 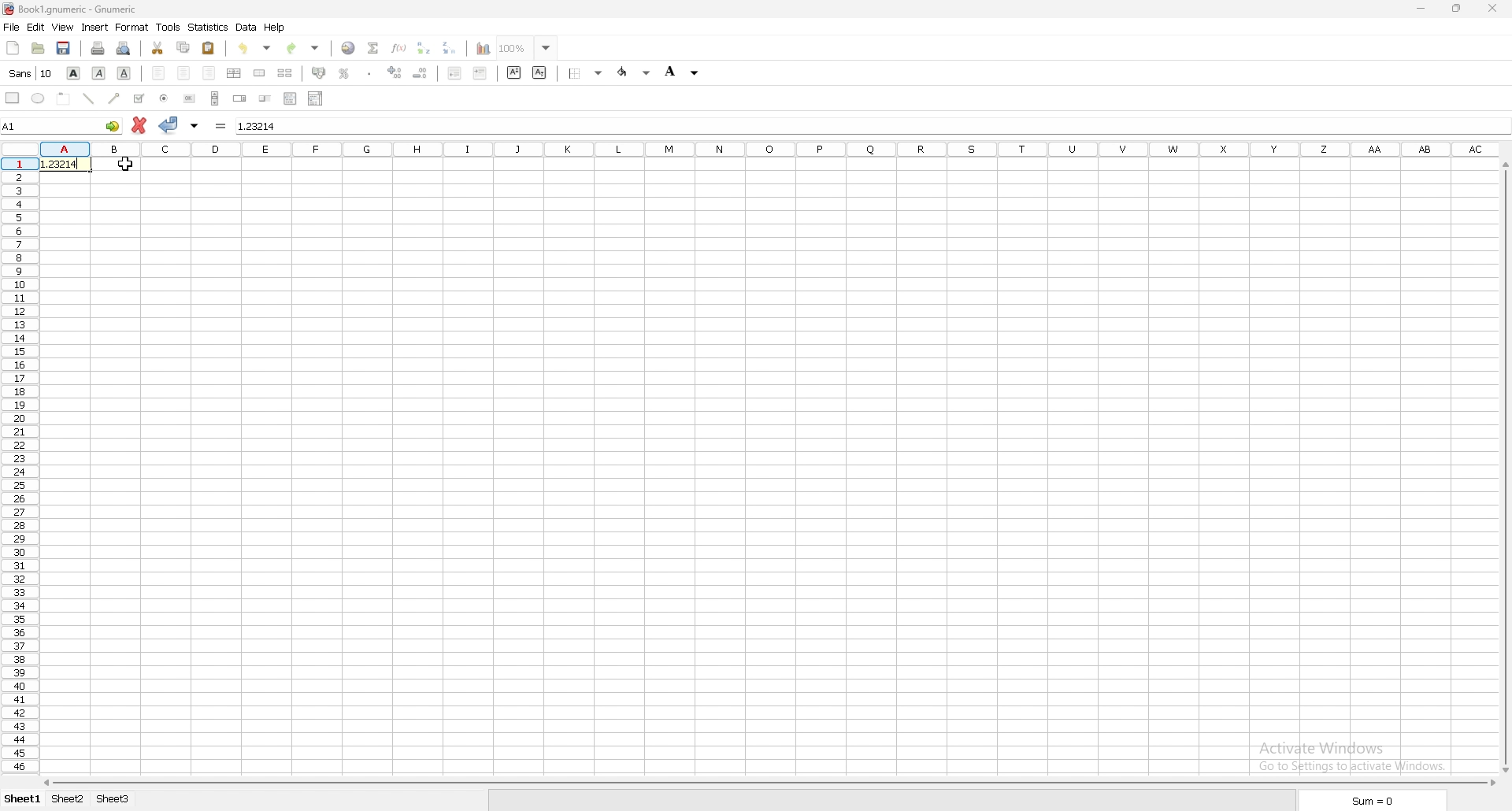 I want to click on help, so click(x=276, y=28).